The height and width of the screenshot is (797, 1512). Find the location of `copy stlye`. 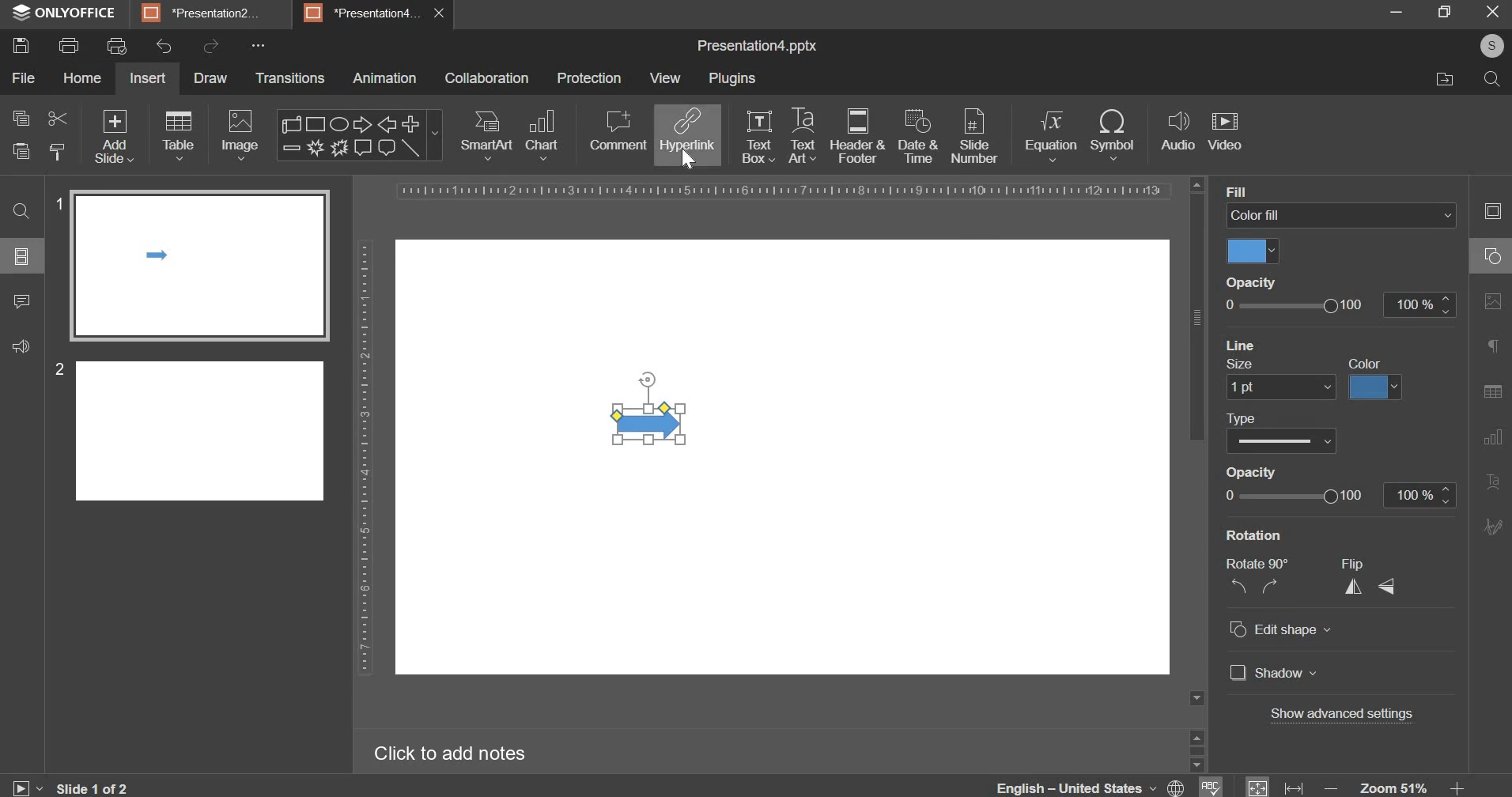

copy stlye is located at coordinates (56, 150).